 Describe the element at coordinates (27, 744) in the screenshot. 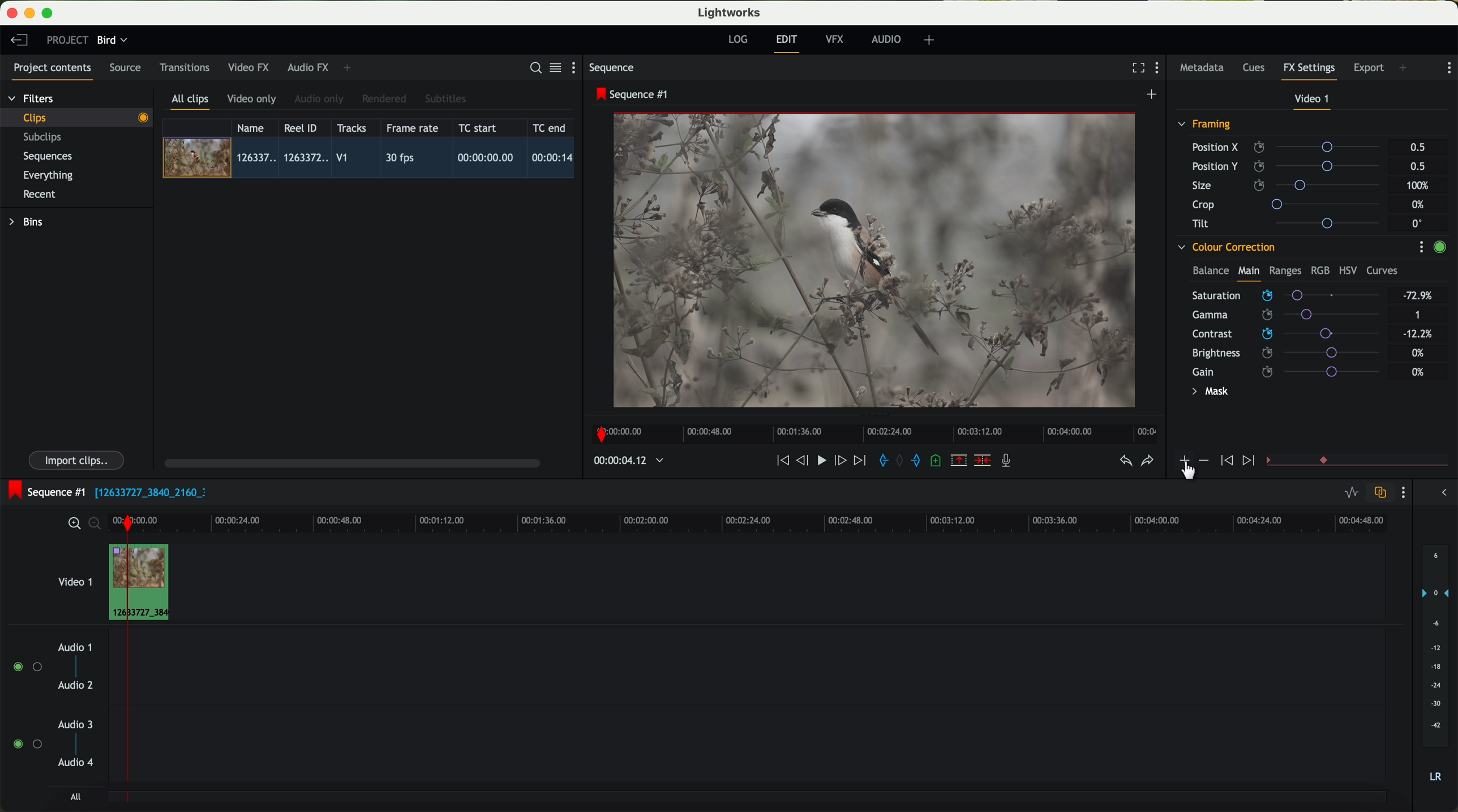

I see `enable audio` at that location.